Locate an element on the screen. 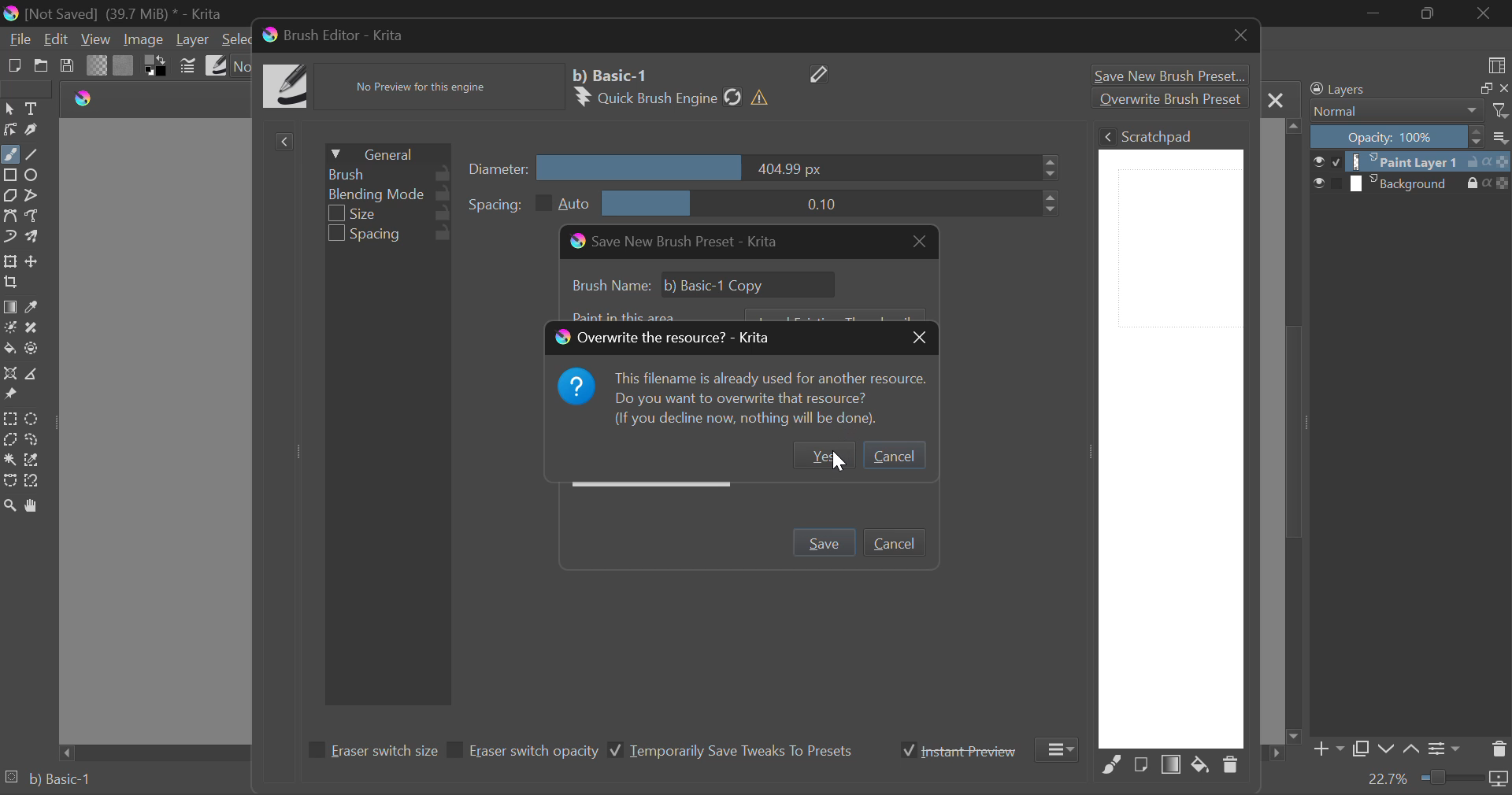 The image size is (1512, 795). Edit Name is located at coordinates (821, 73).